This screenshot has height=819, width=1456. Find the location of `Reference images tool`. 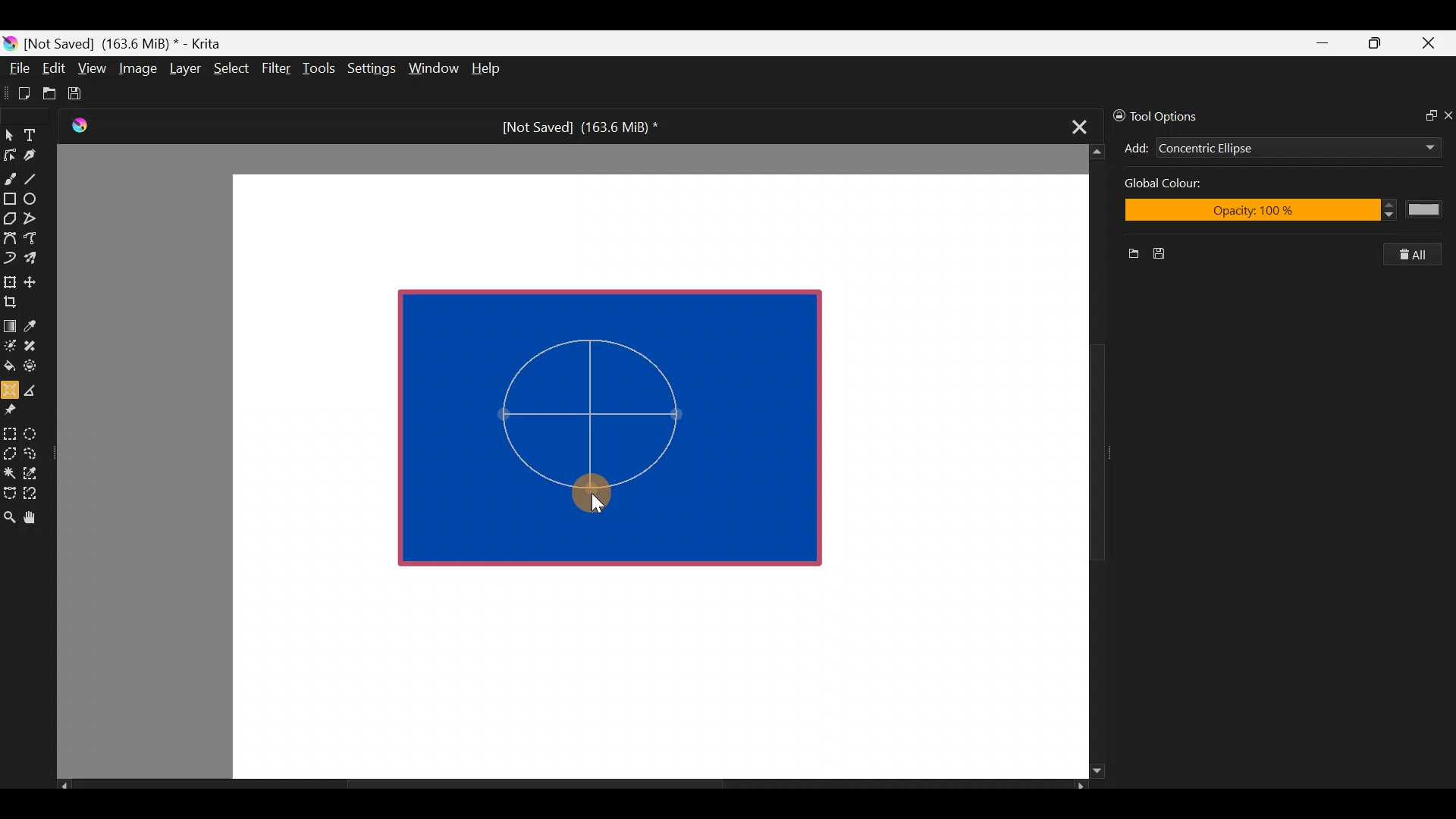

Reference images tool is located at coordinates (15, 408).